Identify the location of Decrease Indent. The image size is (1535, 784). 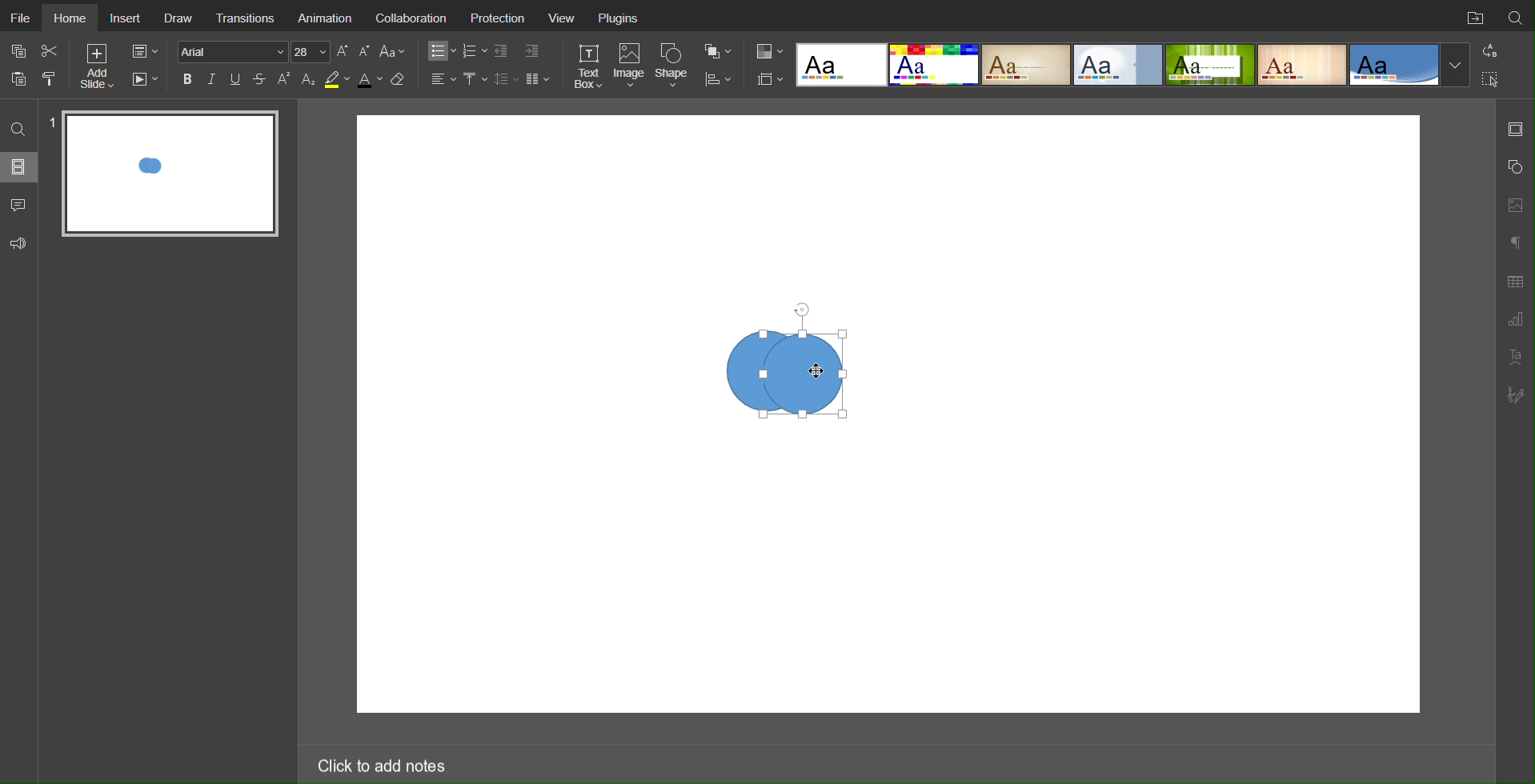
(503, 51).